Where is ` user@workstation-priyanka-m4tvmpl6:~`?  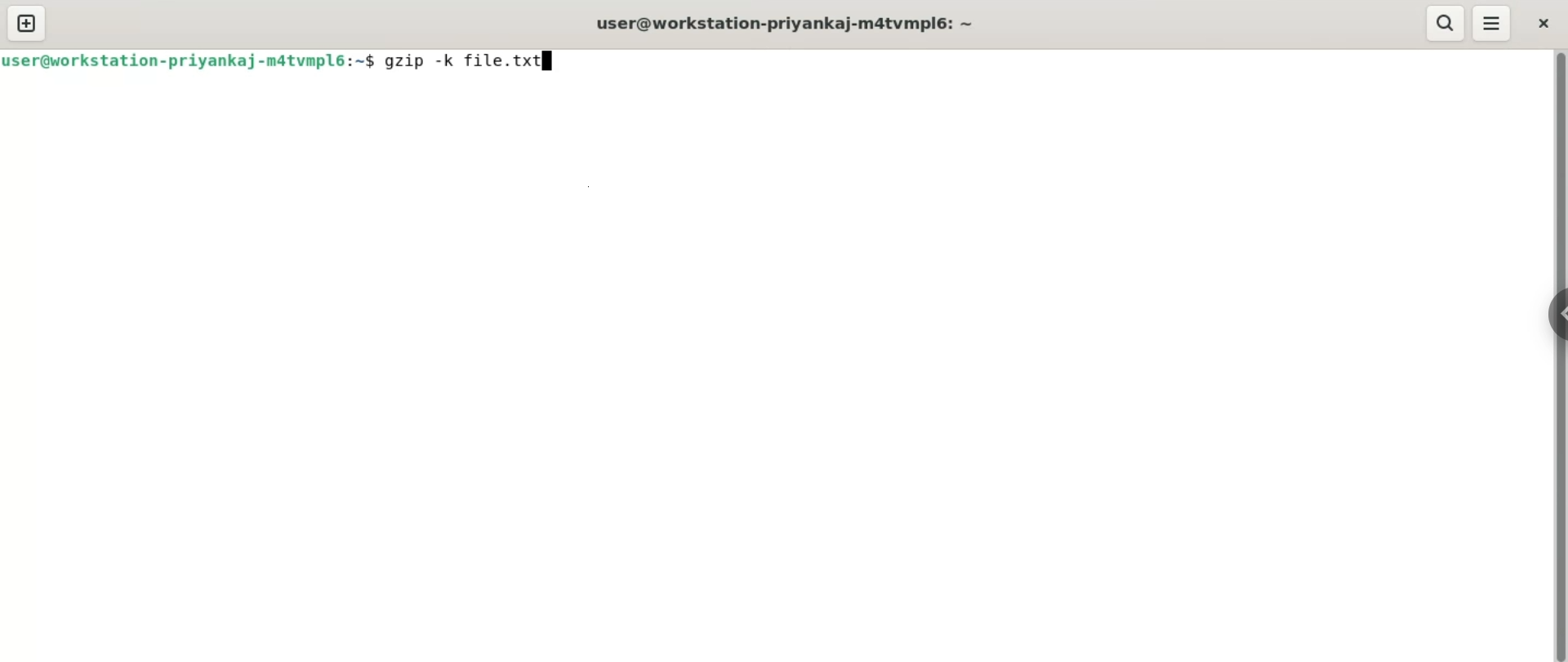  user@workstation-priyanka-m4tvmpl6:~ is located at coordinates (189, 61).